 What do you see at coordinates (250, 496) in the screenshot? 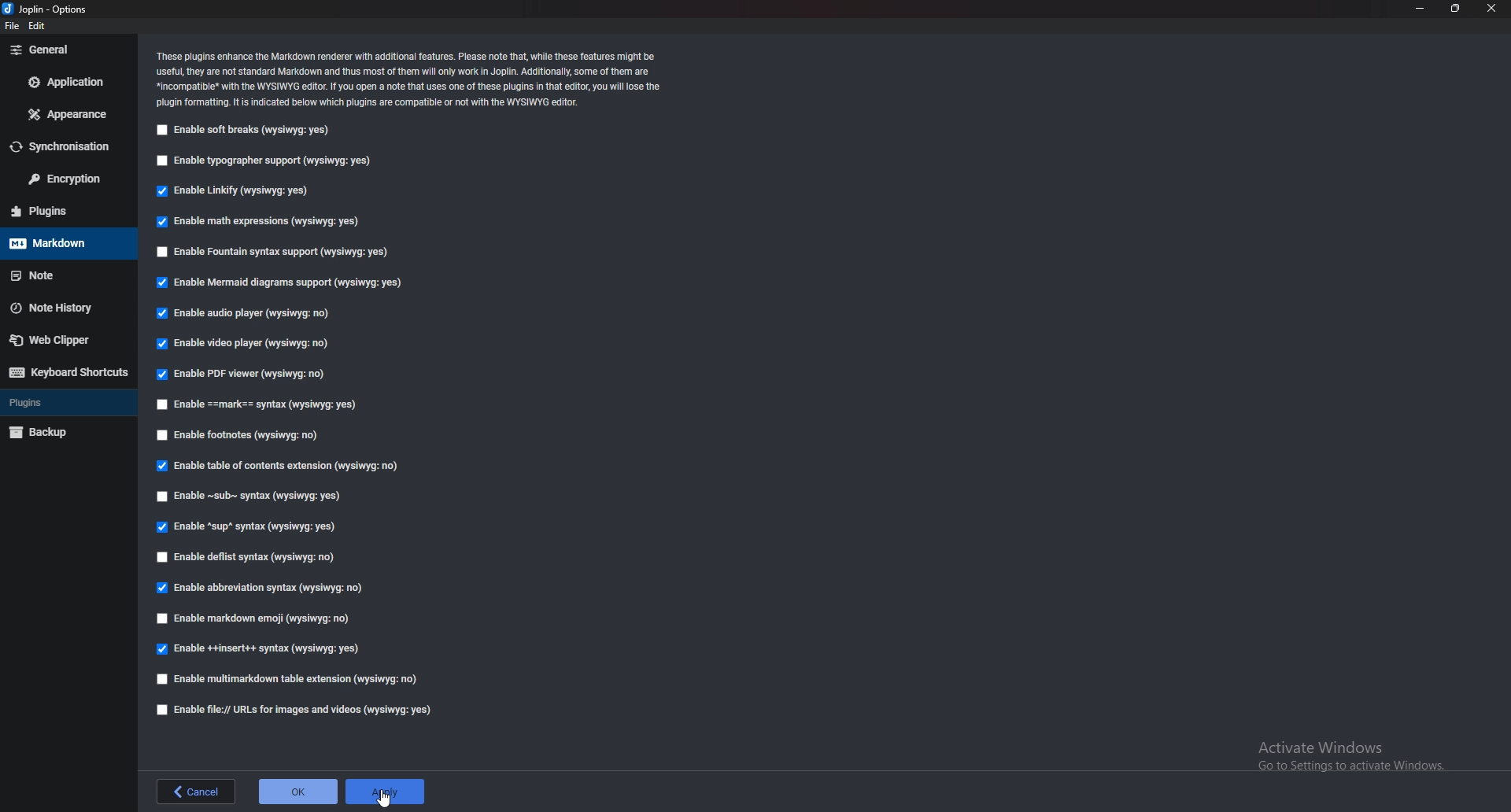
I see `Enable sub syntax` at bounding box center [250, 496].